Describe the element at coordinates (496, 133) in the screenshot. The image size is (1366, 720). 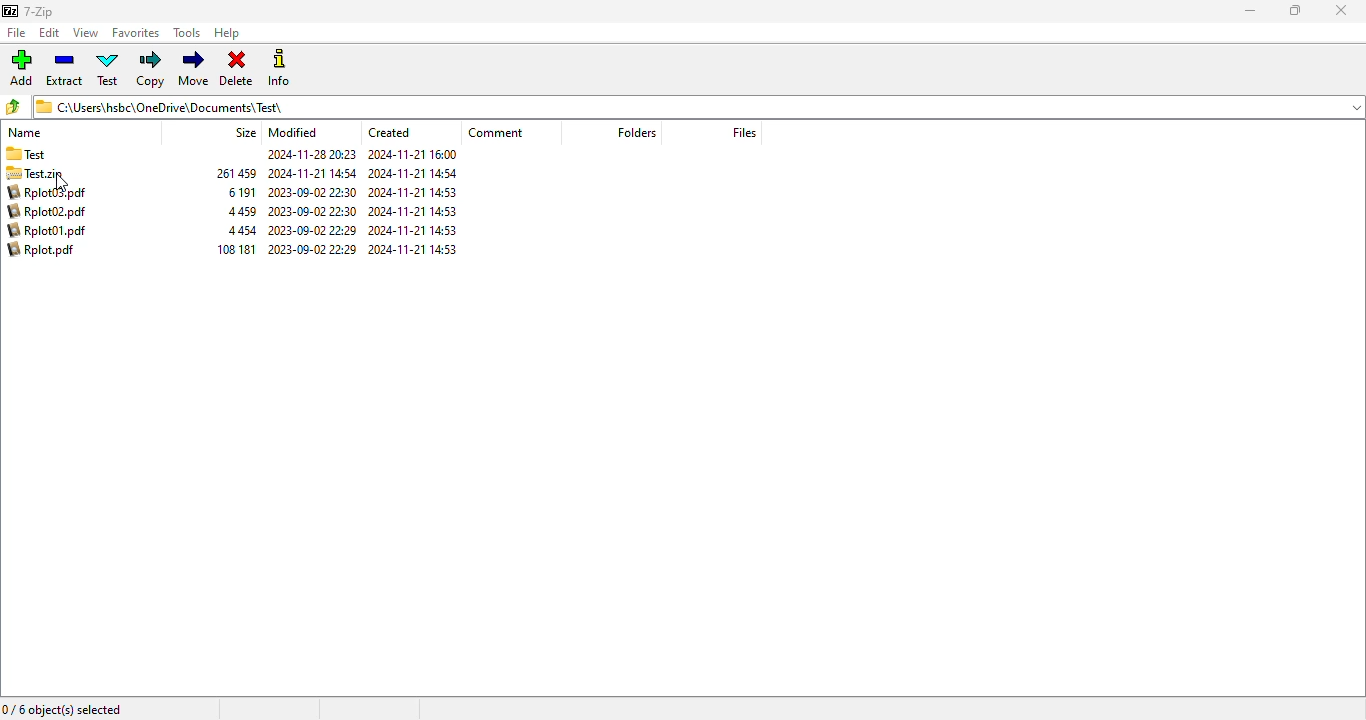
I see `comment` at that location.